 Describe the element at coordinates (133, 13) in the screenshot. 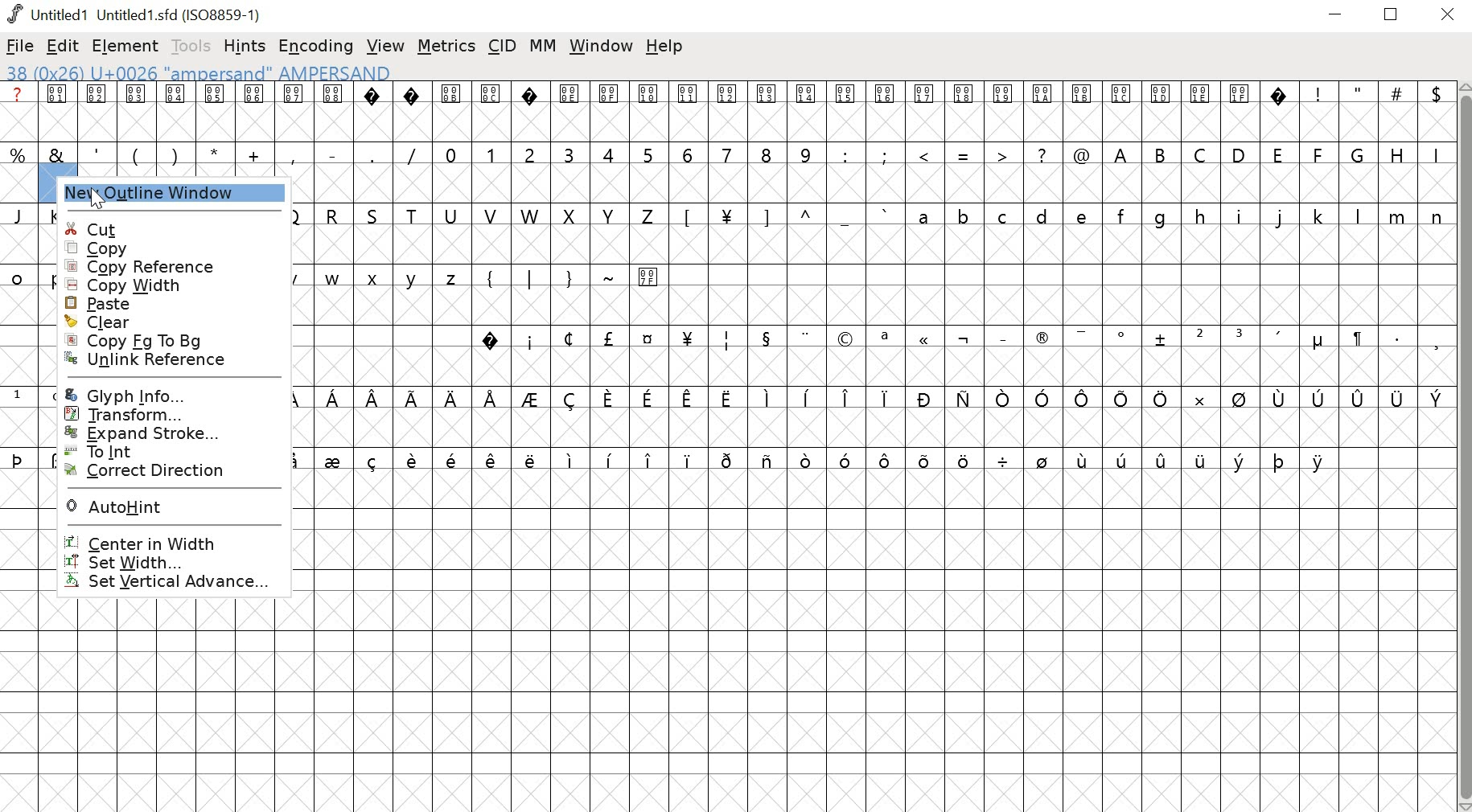

I see `Untitled 1 Untitled1.shd (ISO8859-1)` at that location.